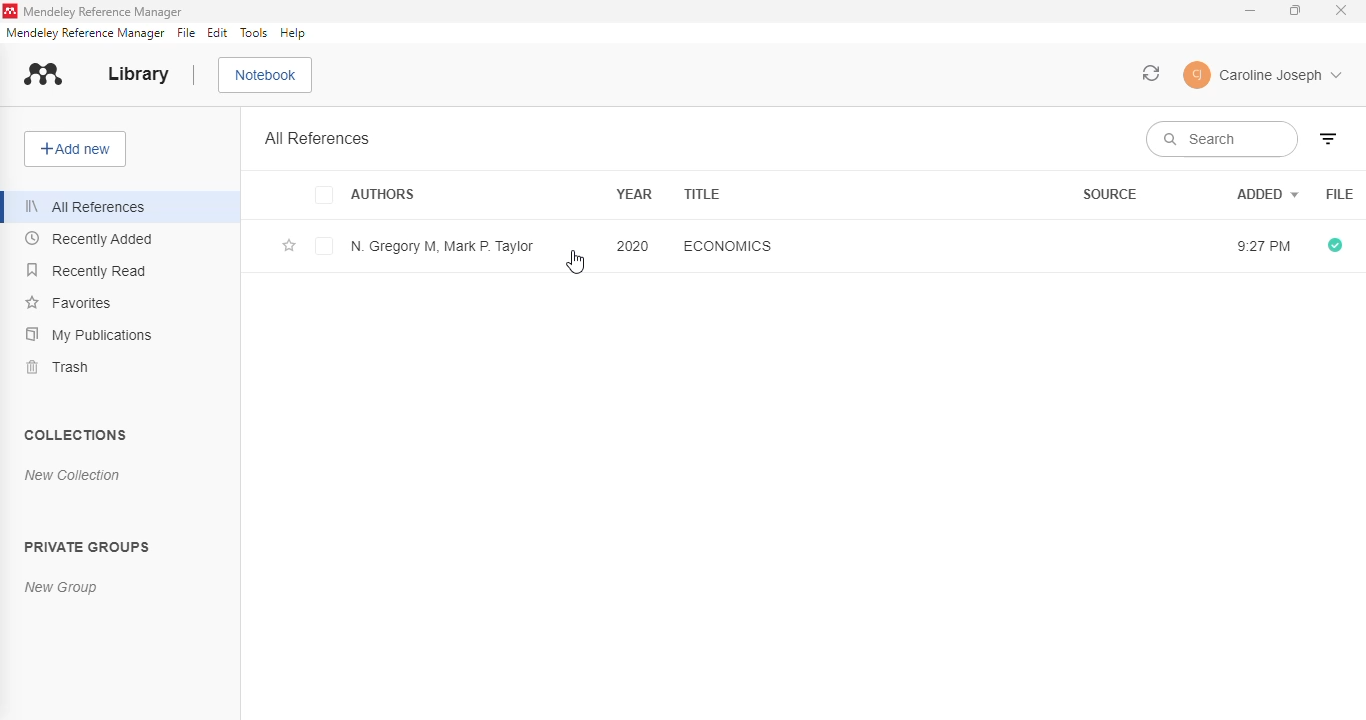 The width and height of the screenshot is (1366, 720). Describe the element at coordinates (91, 335) in the screenshot. I see `my publications` at that location.